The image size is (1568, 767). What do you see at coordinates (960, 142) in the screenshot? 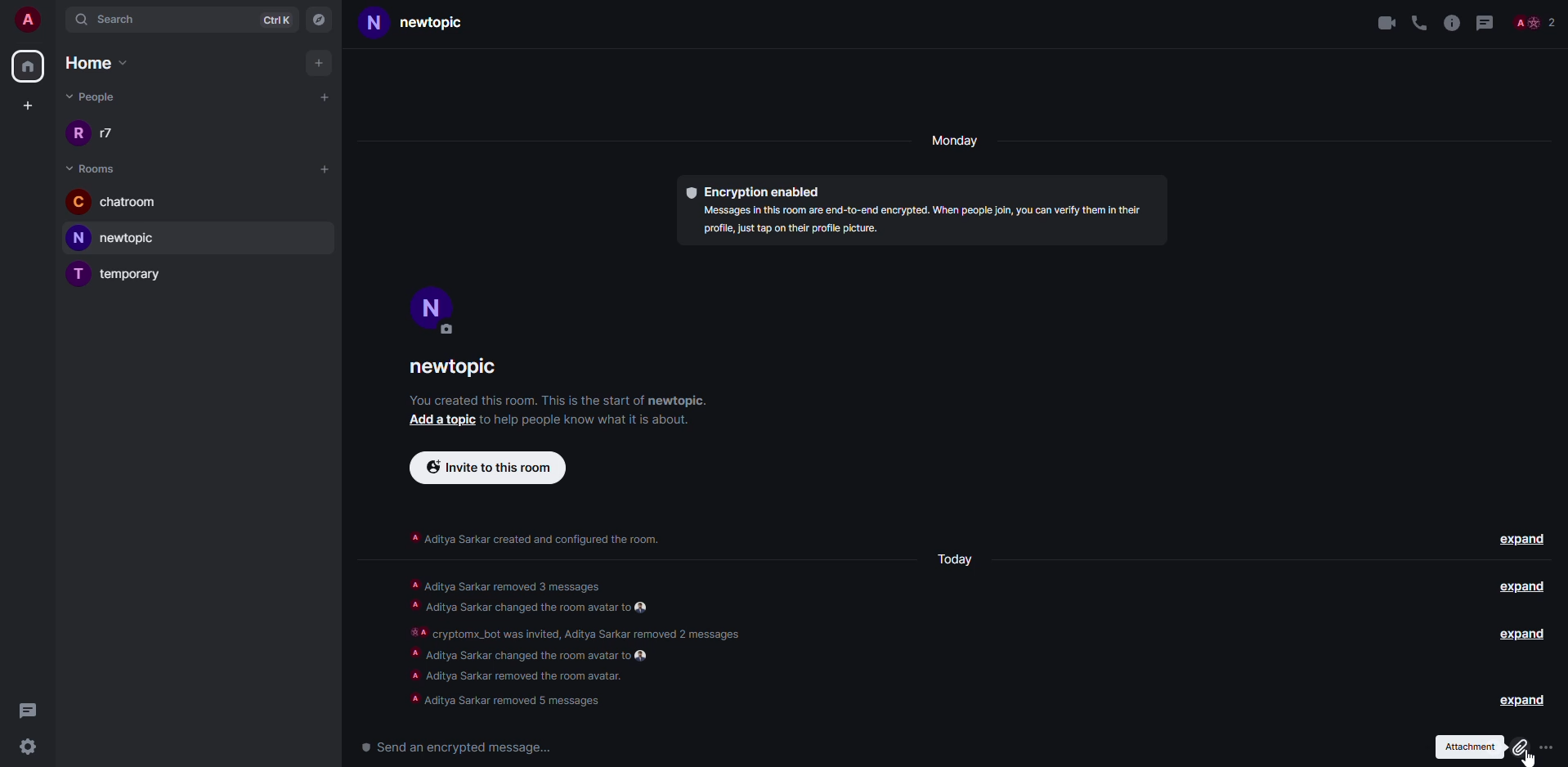
I see `day` at bounding box center [960, 142].